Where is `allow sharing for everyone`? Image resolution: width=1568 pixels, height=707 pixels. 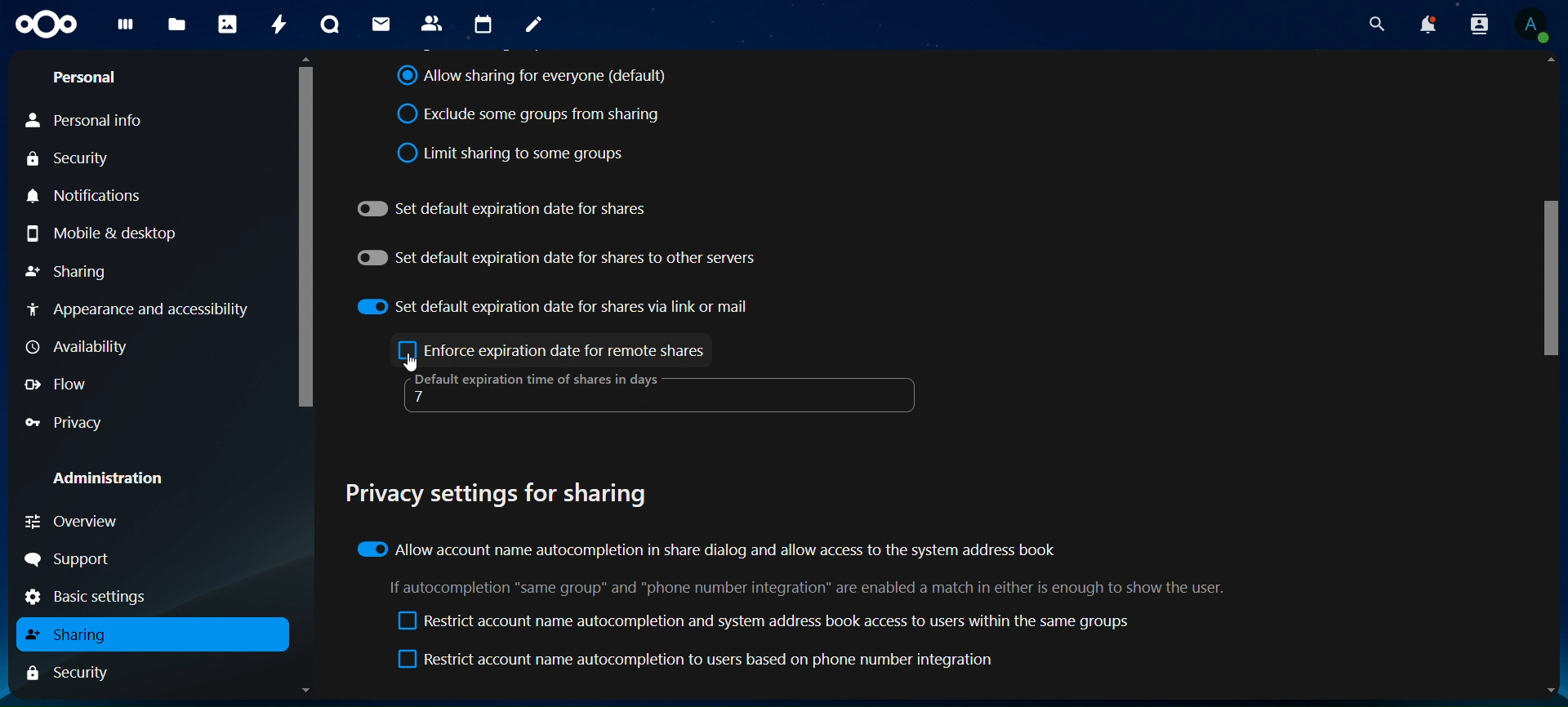
allow sharing for everyone is located at coordinates (532, 78).